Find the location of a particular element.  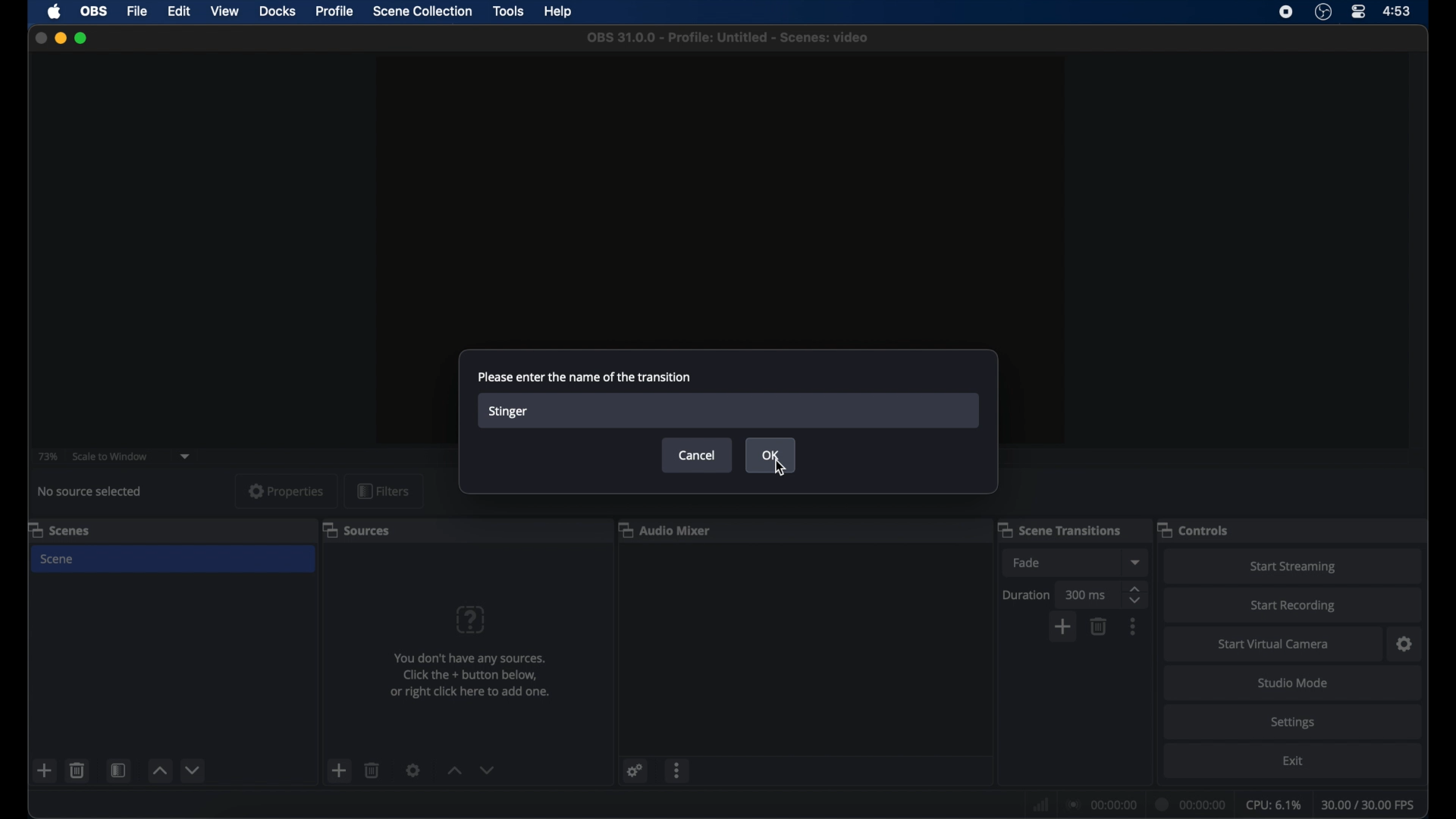

help is located at coordinates (560, 11).